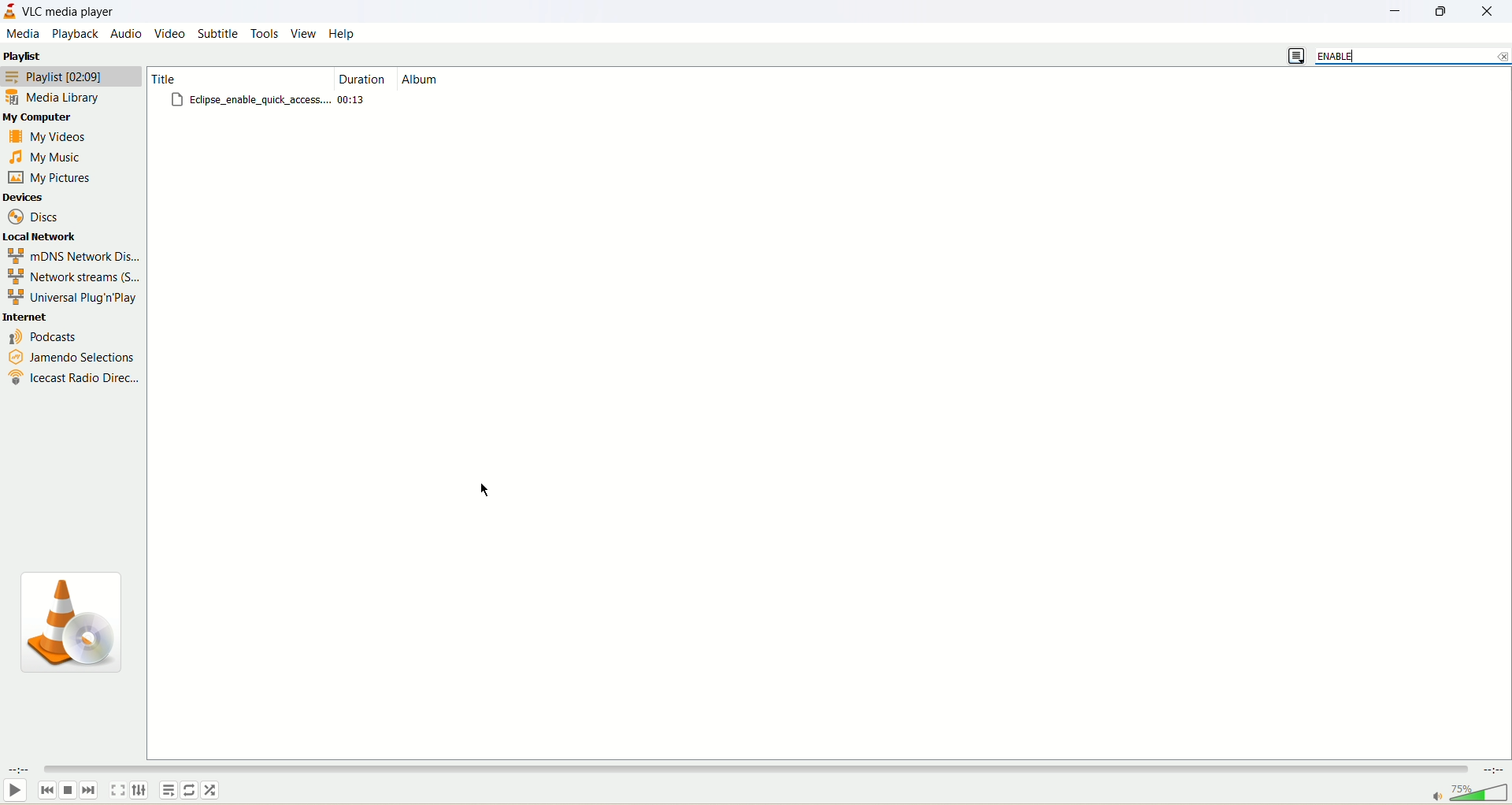  I want to click on playlist, so click(70, 78).